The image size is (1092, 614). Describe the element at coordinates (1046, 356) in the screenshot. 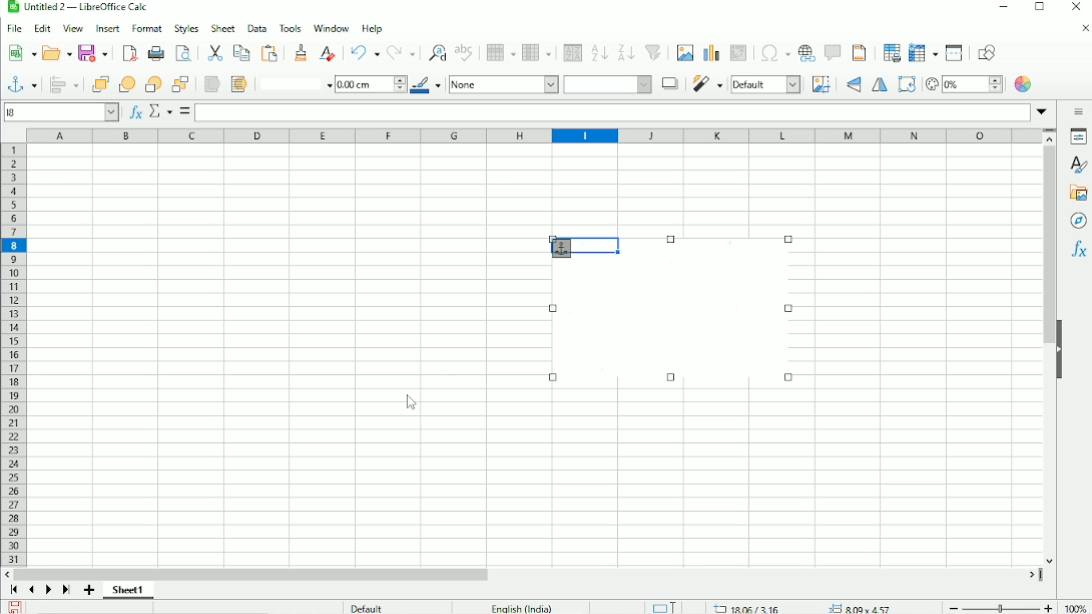

I see `Vertical scrollbar` at that location.